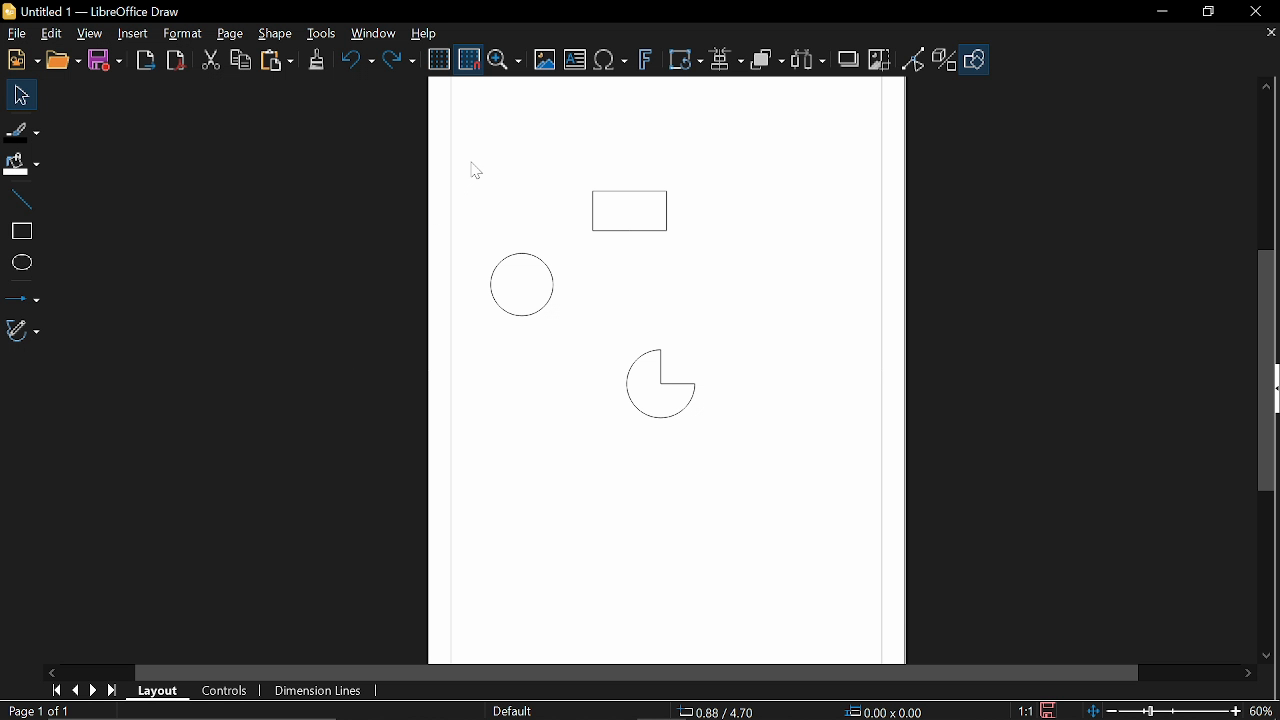 The image size is (1280, 720). Describe the element at coordinates (210, 59) in the screenshot. I see `cut` at that location.